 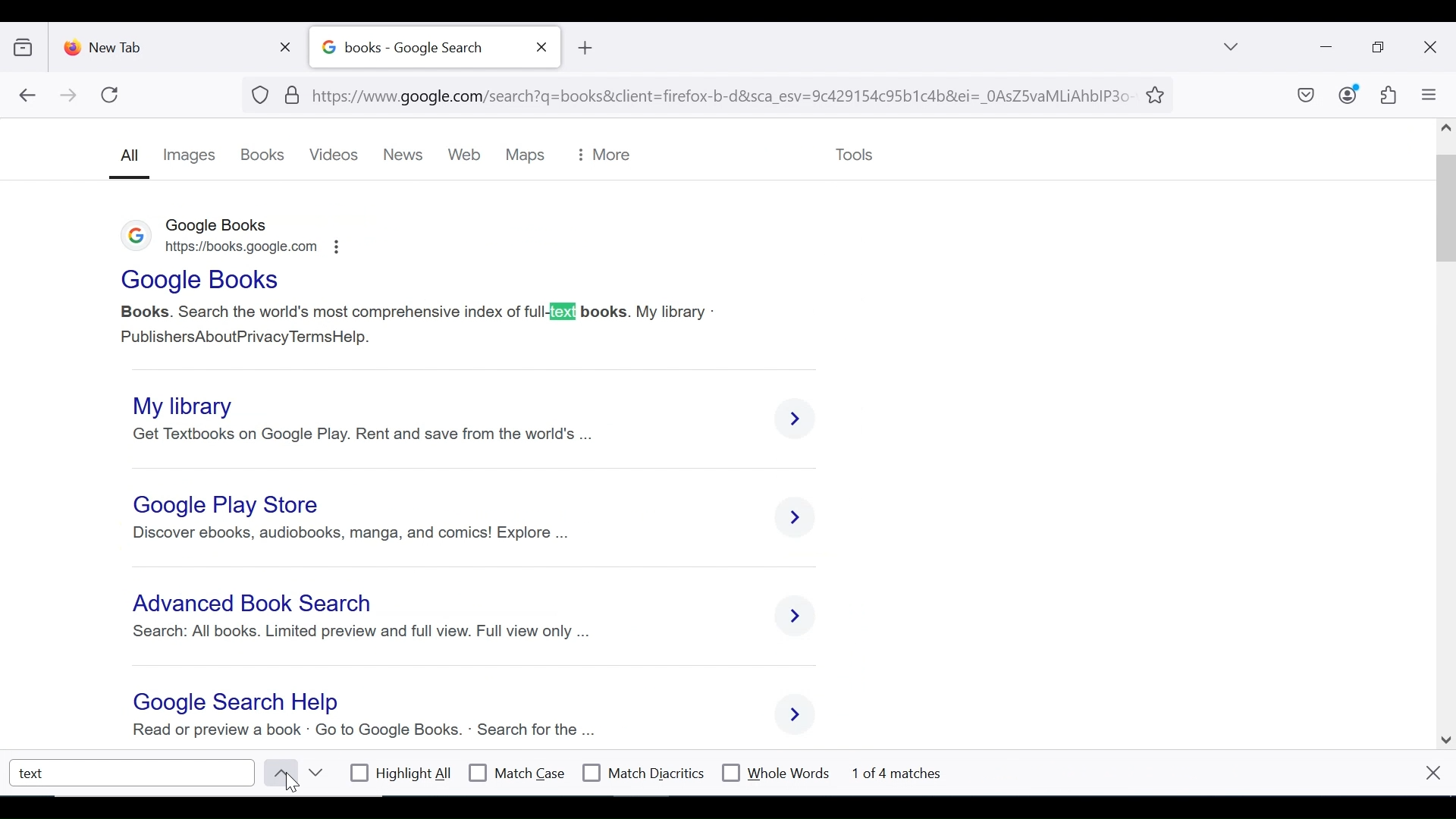 I want to click on tools, so click(x=853, y=152).